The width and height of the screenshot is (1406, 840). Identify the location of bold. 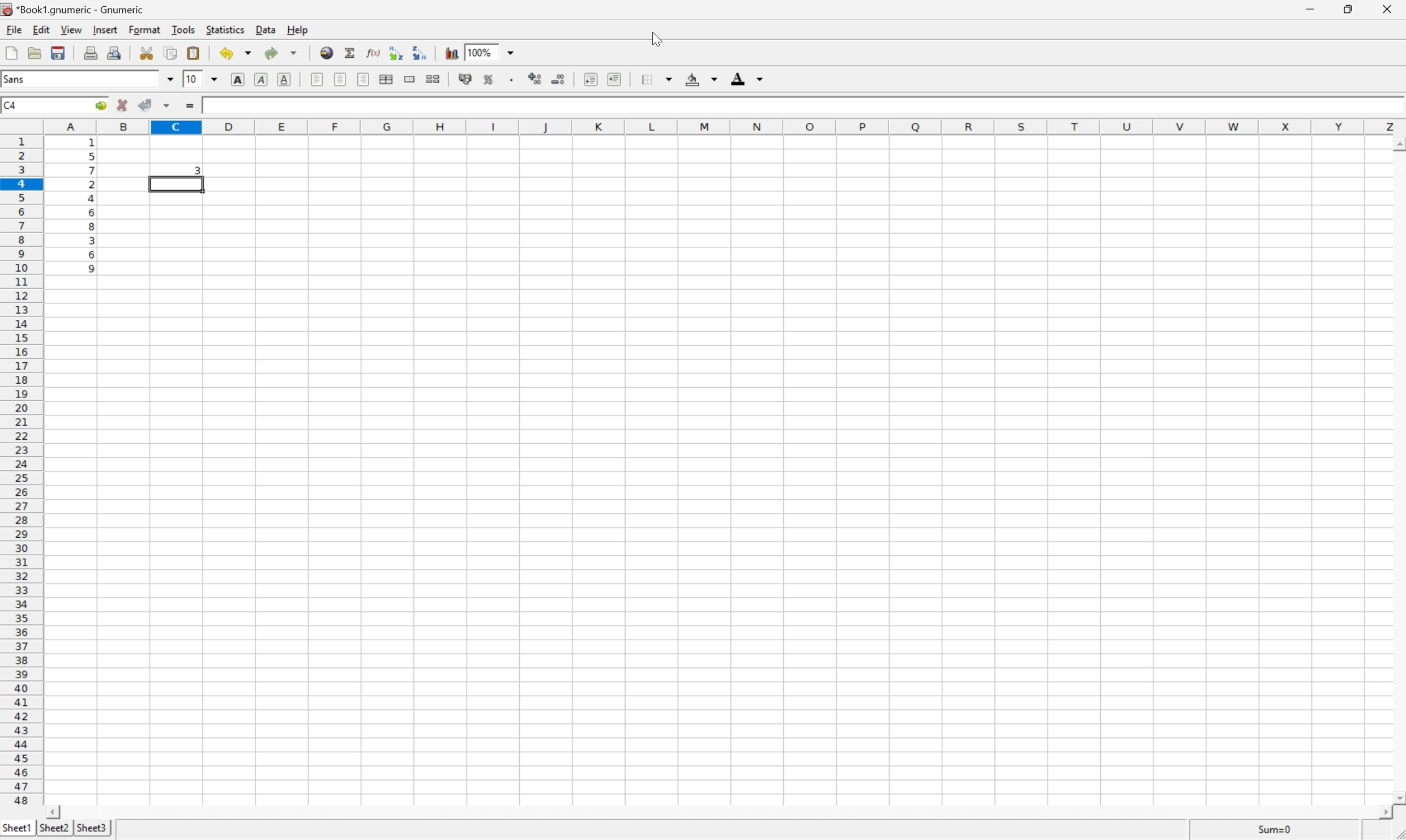
(237, 79).